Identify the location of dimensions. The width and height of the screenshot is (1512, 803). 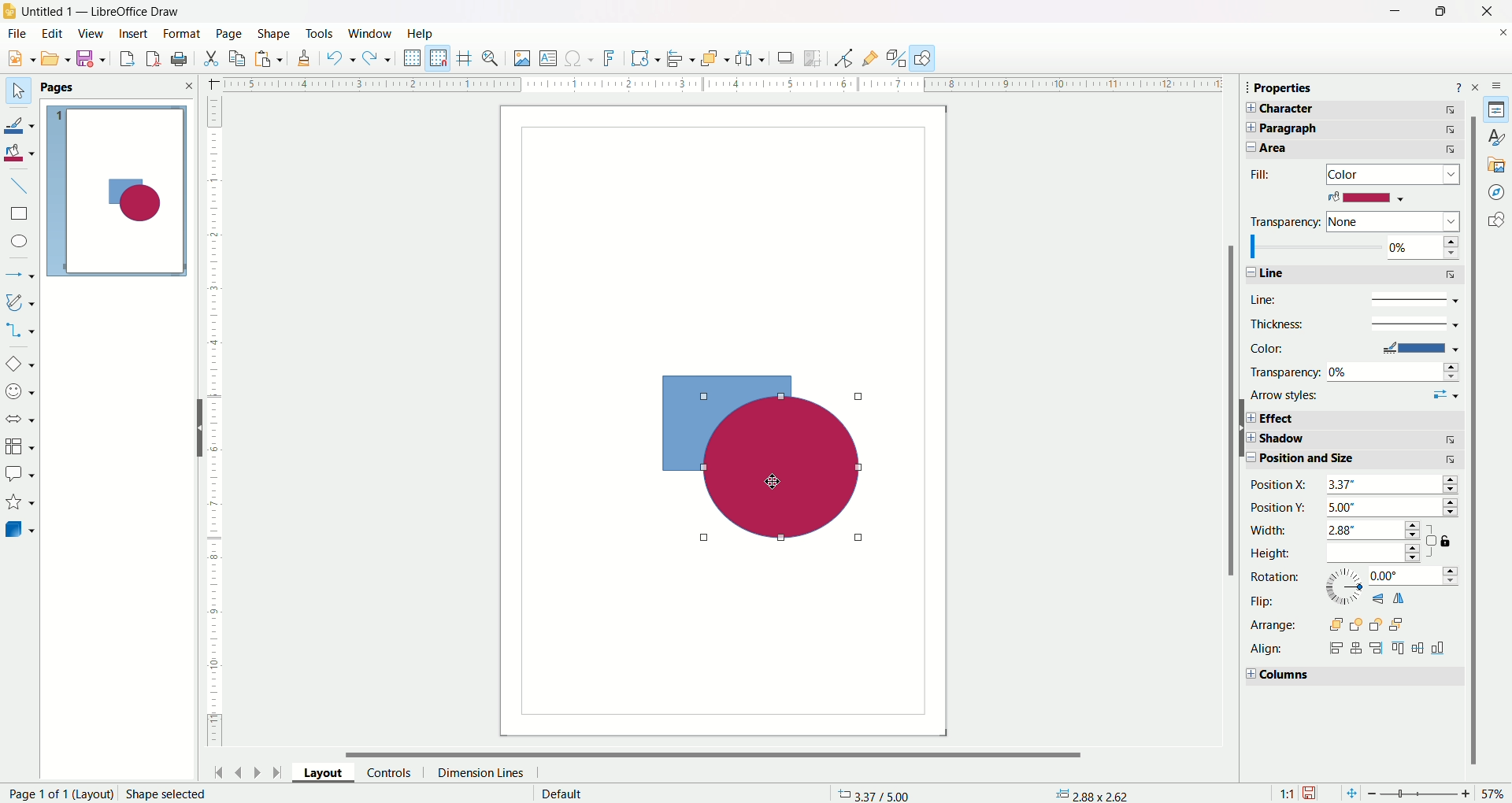
(1094, 794).